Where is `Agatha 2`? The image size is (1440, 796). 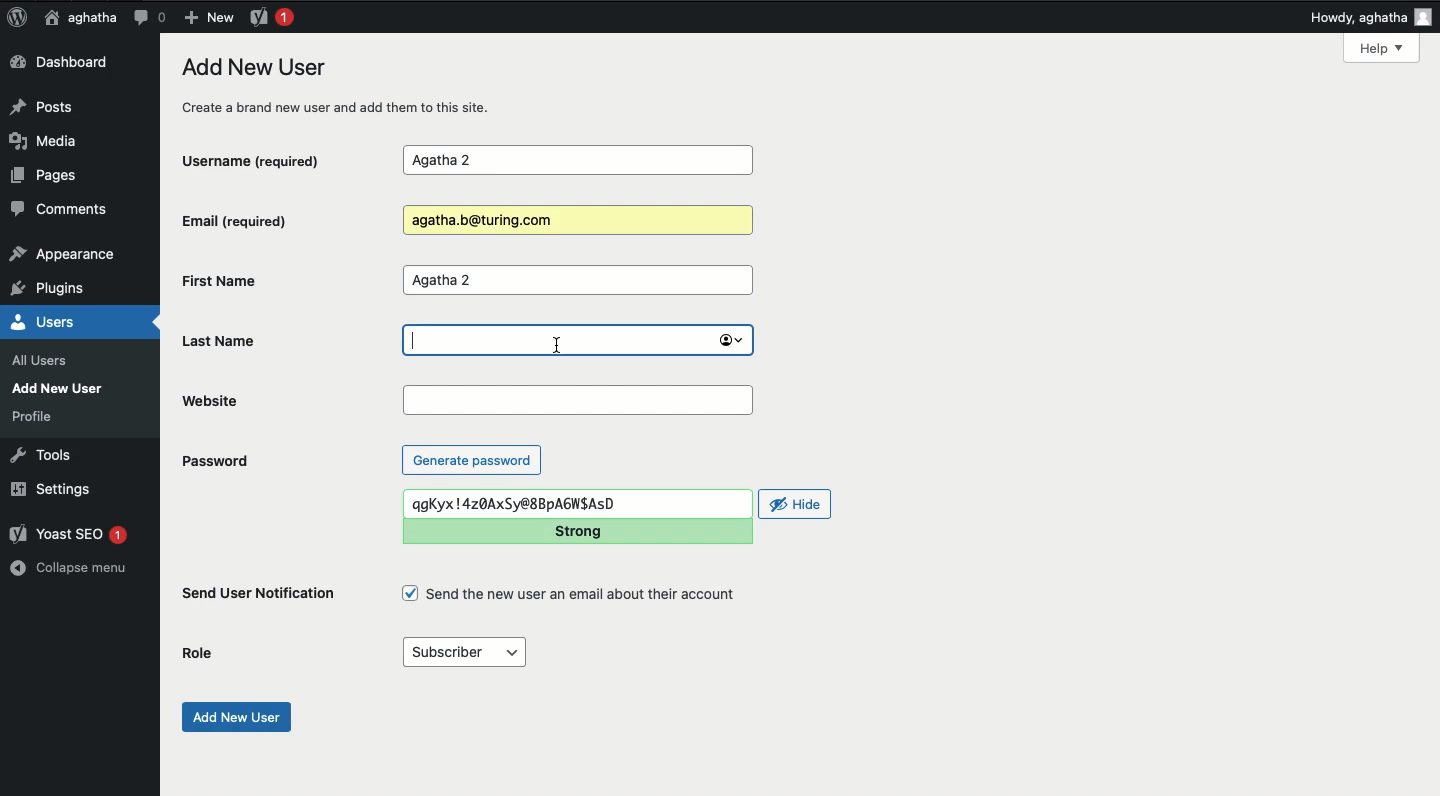
Agatha 2 is located at coordinates (577, 161).